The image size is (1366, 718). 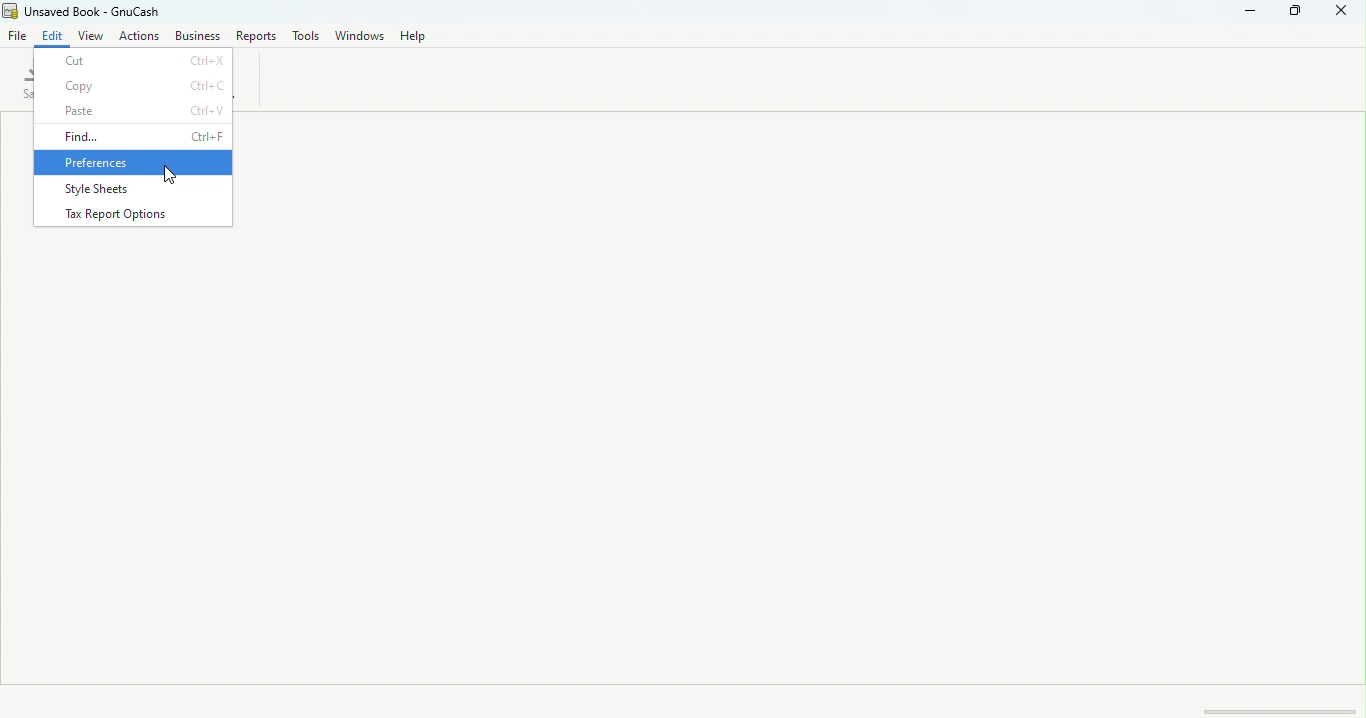 I want to click on Copy, so click(x=135, y=87).